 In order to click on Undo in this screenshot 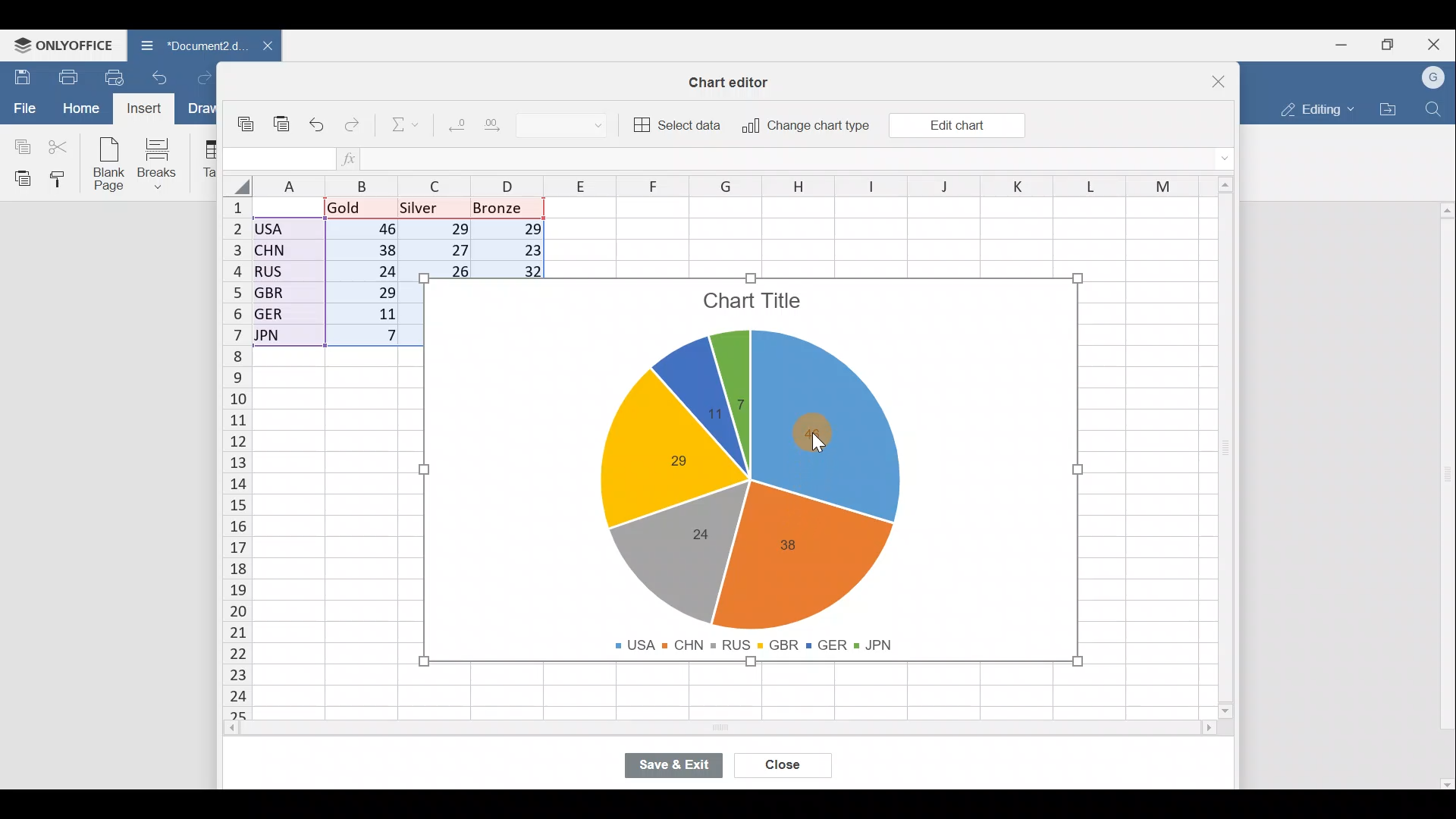, I will do `click(164, 82)`.